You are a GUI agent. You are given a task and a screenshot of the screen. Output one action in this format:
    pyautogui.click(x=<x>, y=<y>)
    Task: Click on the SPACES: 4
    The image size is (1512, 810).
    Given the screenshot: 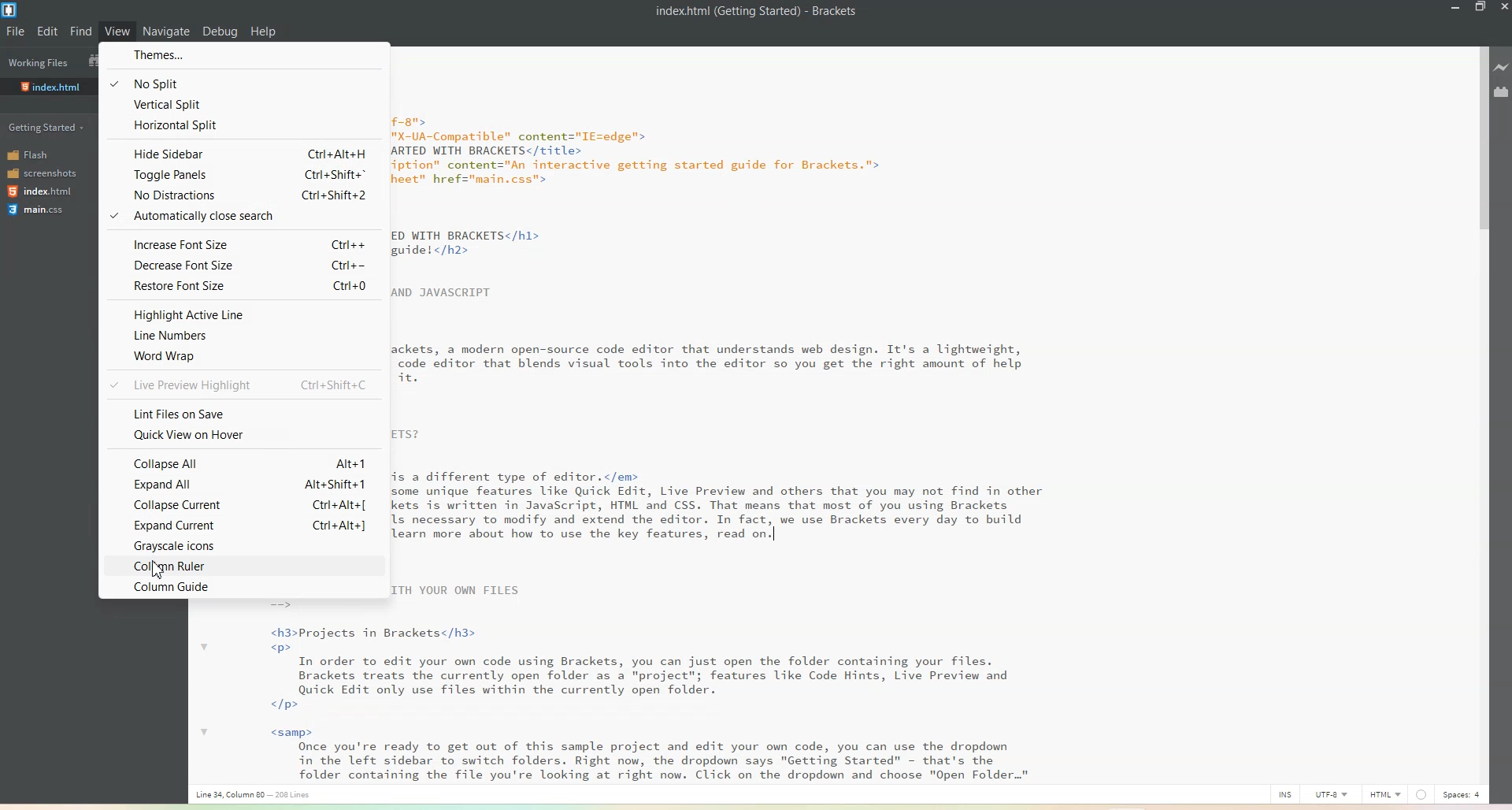 What is the action you would take?
    pyautogui.click(x=1449, y=795)
    